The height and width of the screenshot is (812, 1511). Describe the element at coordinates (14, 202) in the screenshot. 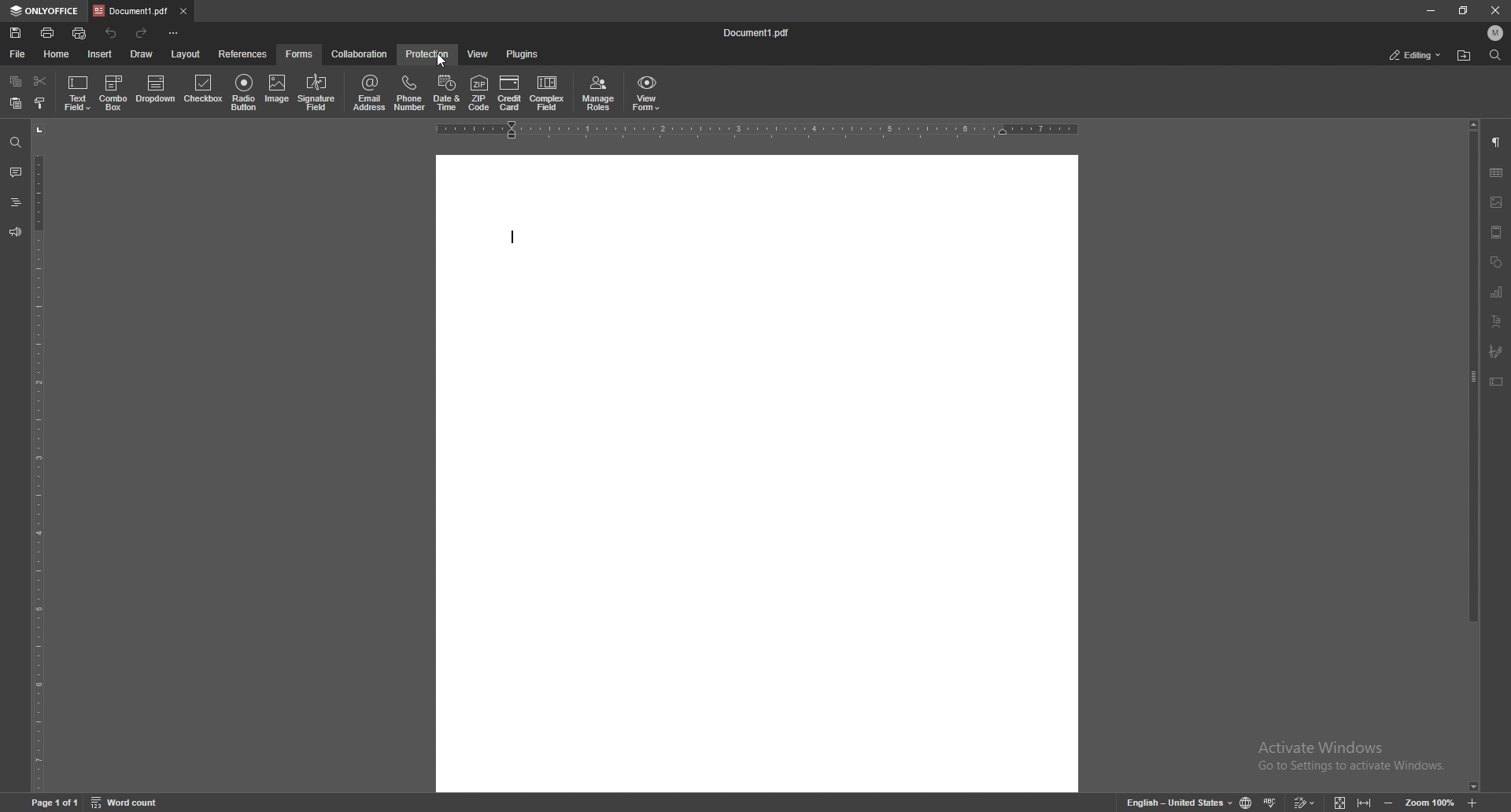

I see `headings` at that location.